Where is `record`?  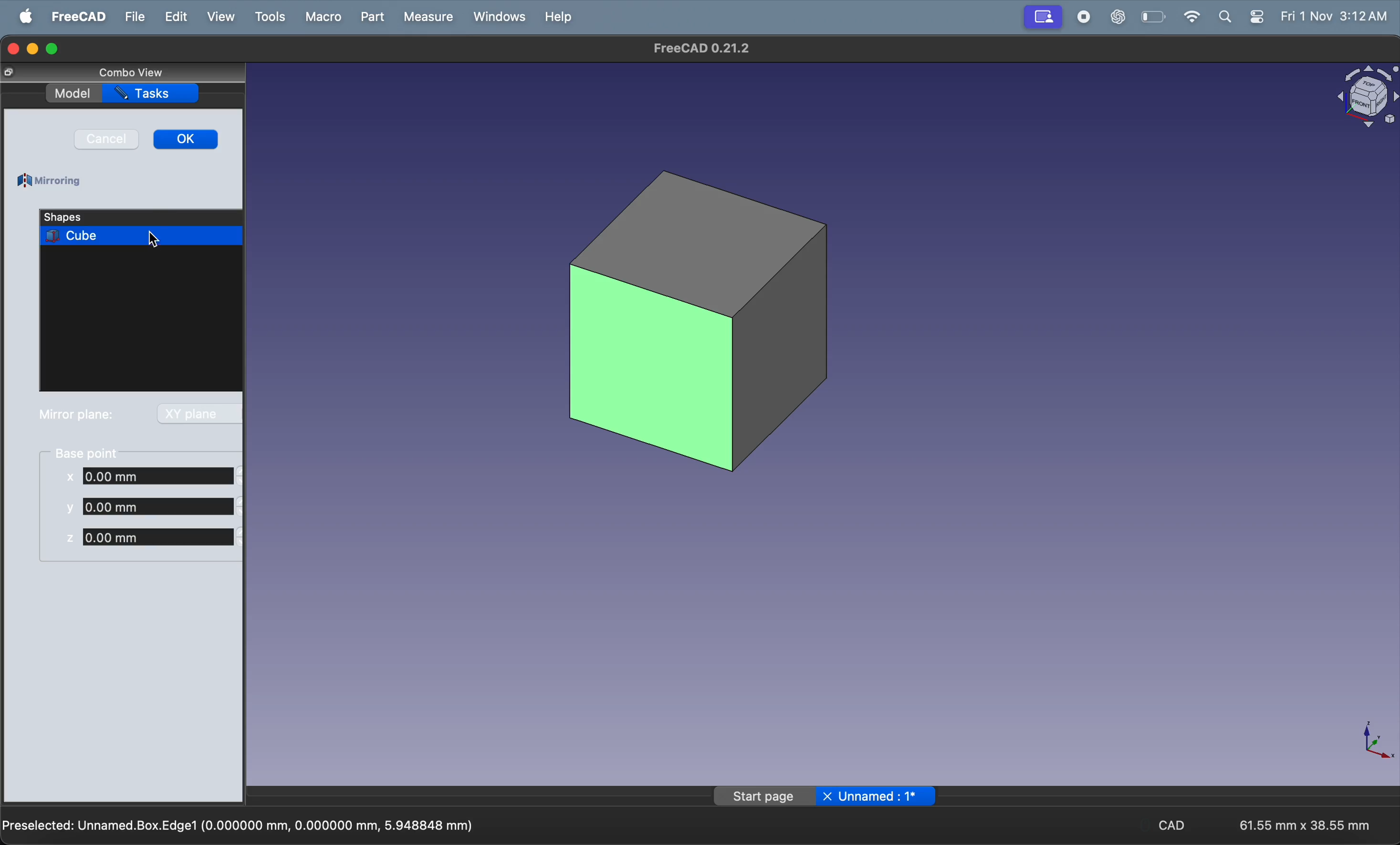 record is located at coordinates (1085, 16).